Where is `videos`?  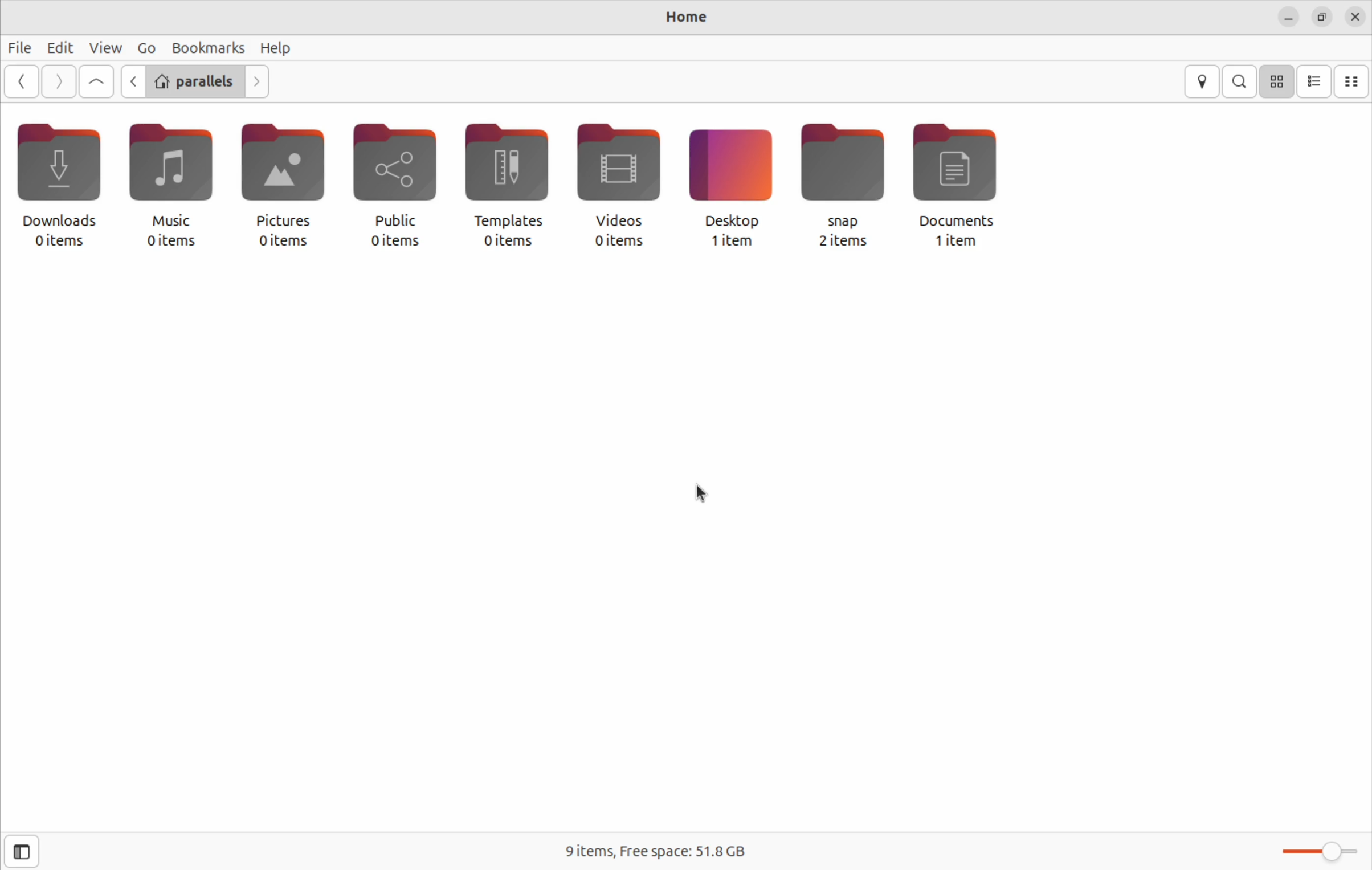
videos is located at coordinates (624, 171).